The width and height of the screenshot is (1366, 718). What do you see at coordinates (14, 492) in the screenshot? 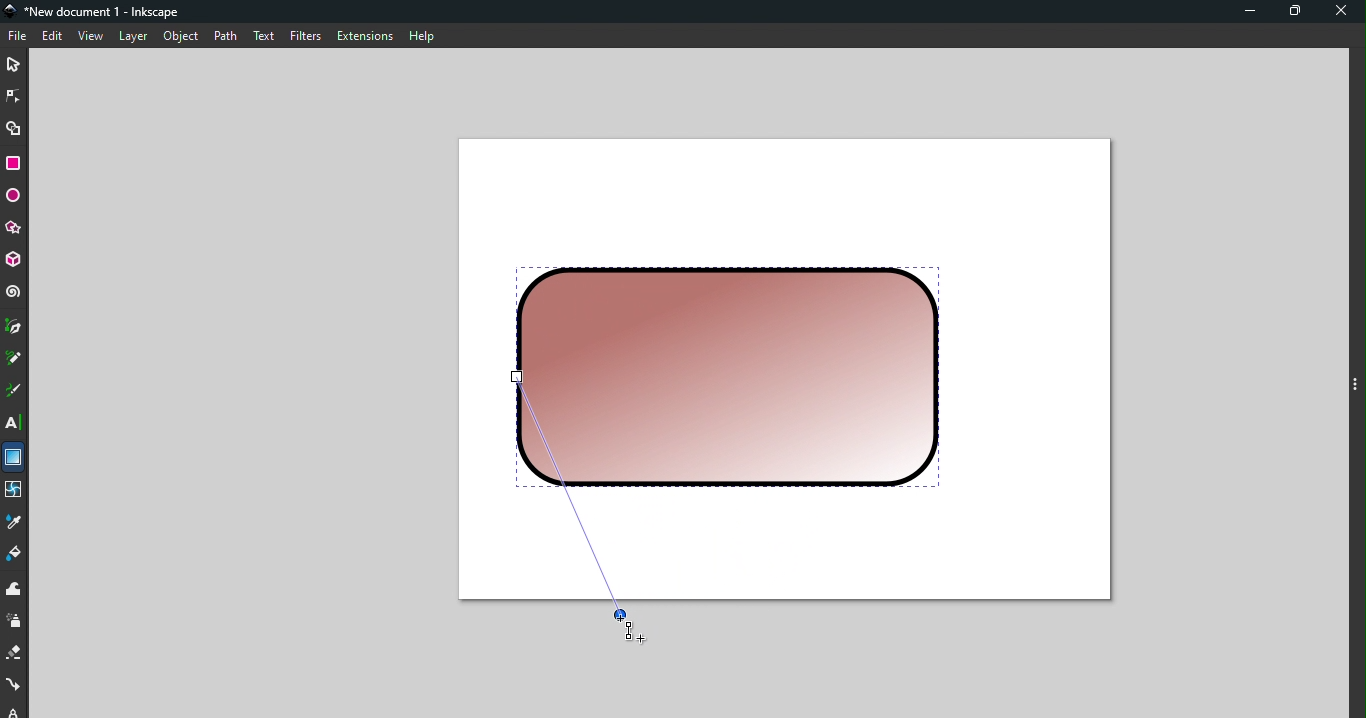
I see `Mesh tool` at bounding box center [14, 492].